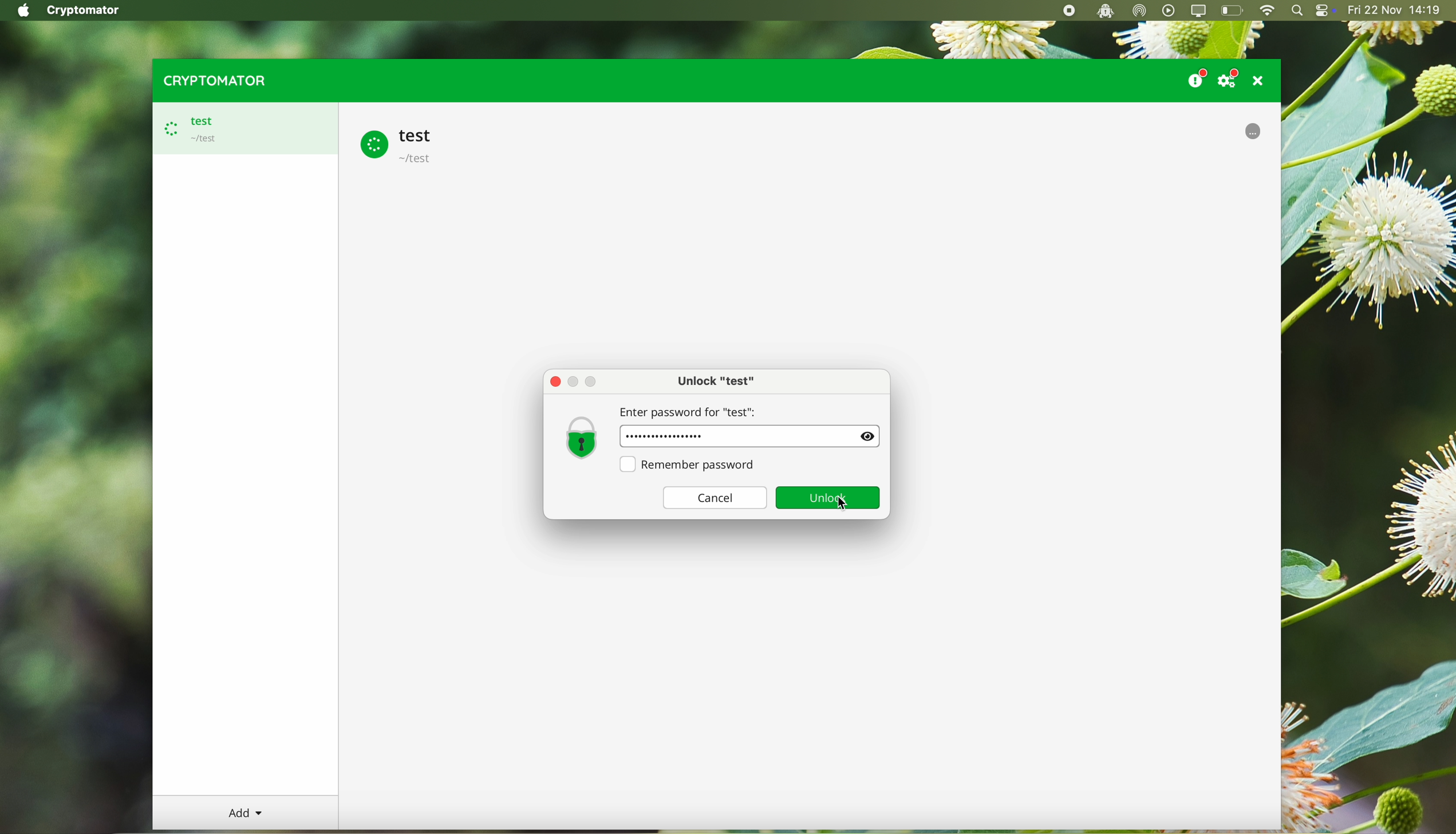 The image size is (1456, 834). What do you see at coordinates (575, 382) in the screenshot?
I see `Minimize ` at bounding box center [575, 382].